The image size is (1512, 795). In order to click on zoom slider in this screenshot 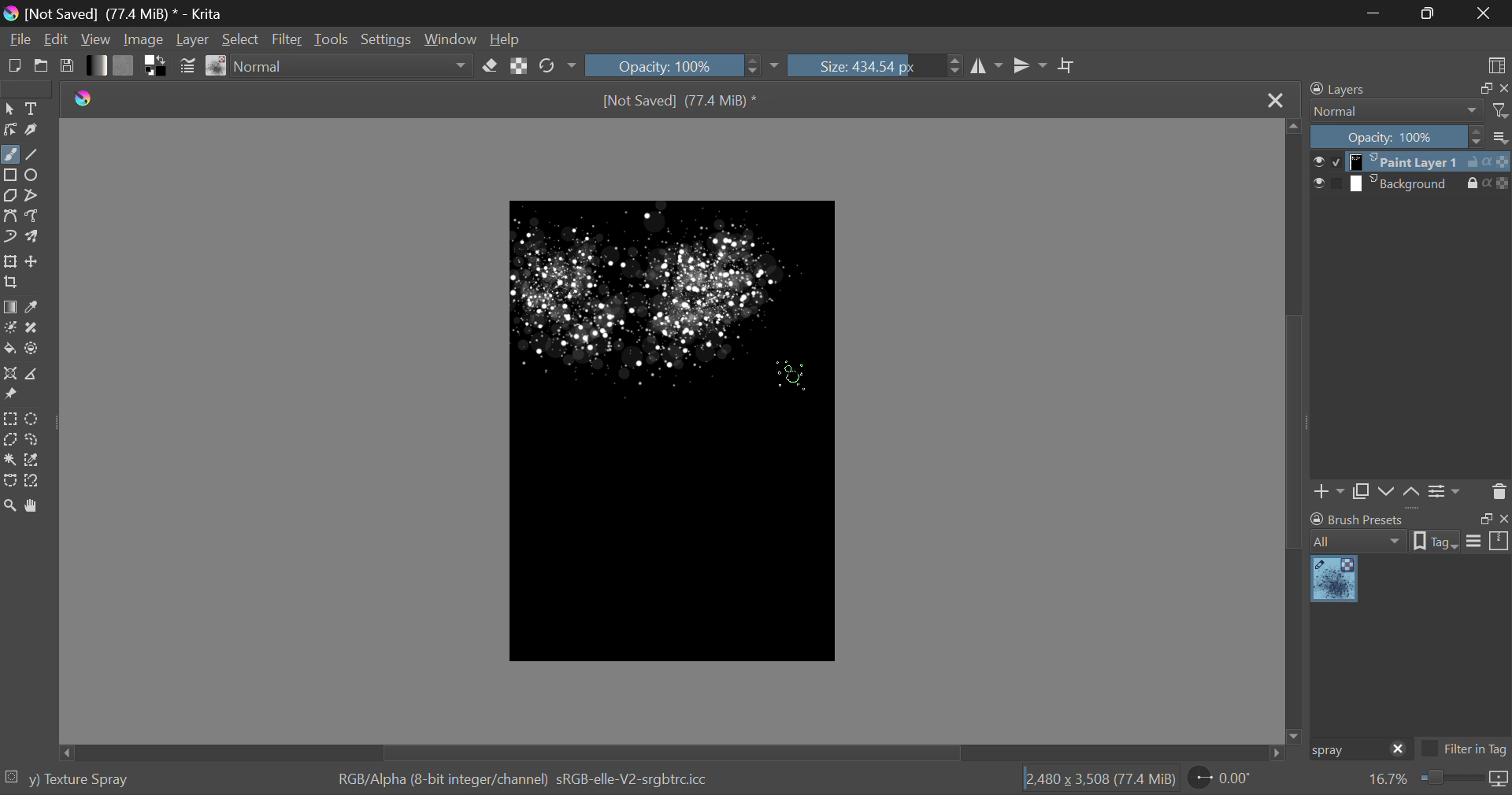, I will do `click(1450, 779)`.